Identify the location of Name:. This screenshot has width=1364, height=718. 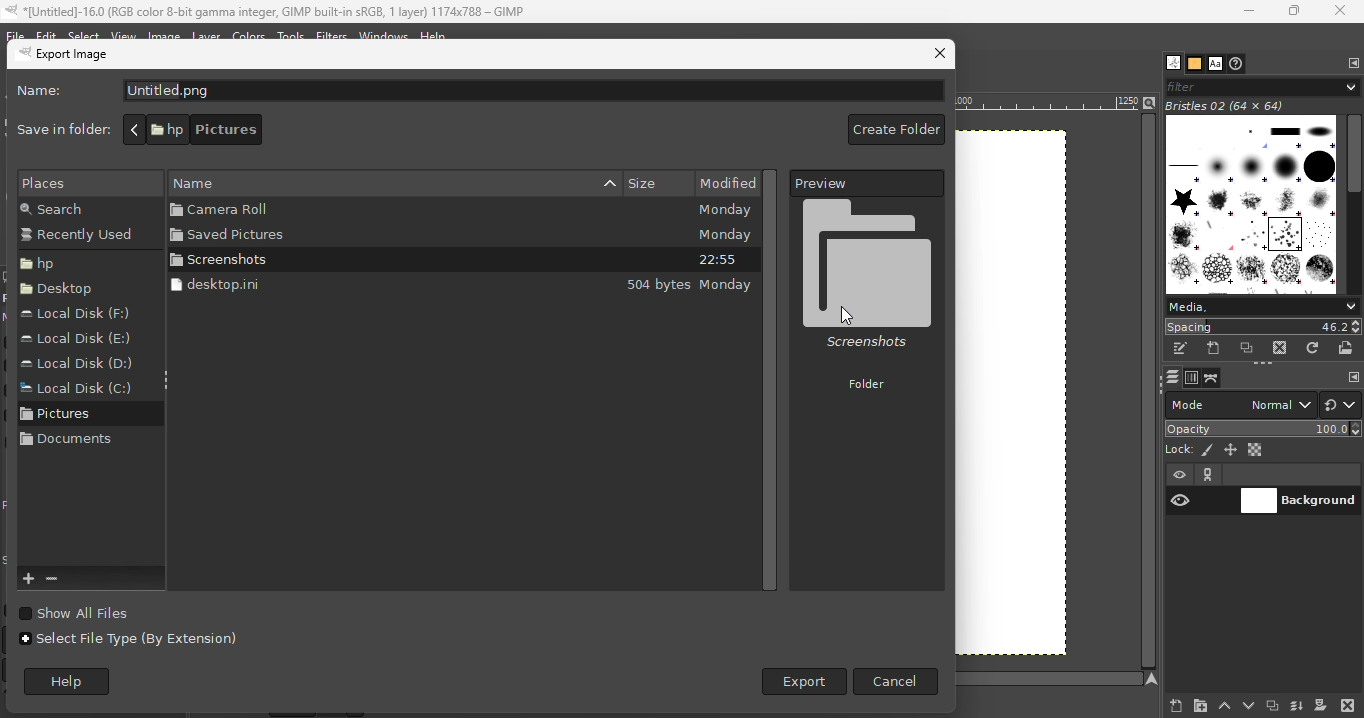
(46, 93).